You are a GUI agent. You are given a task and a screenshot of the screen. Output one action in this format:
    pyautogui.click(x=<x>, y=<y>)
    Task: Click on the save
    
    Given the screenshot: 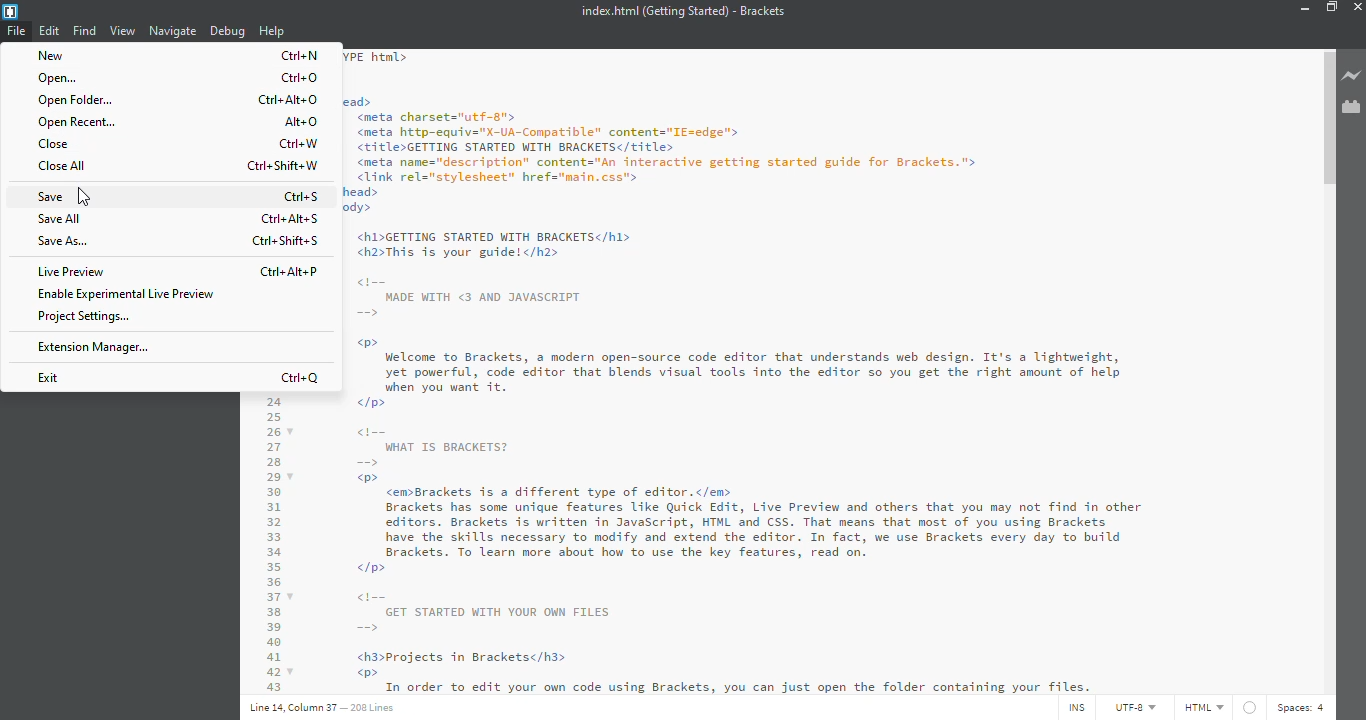 What is the action you would take?
    pyautogui.click(x=58, y=197)
    